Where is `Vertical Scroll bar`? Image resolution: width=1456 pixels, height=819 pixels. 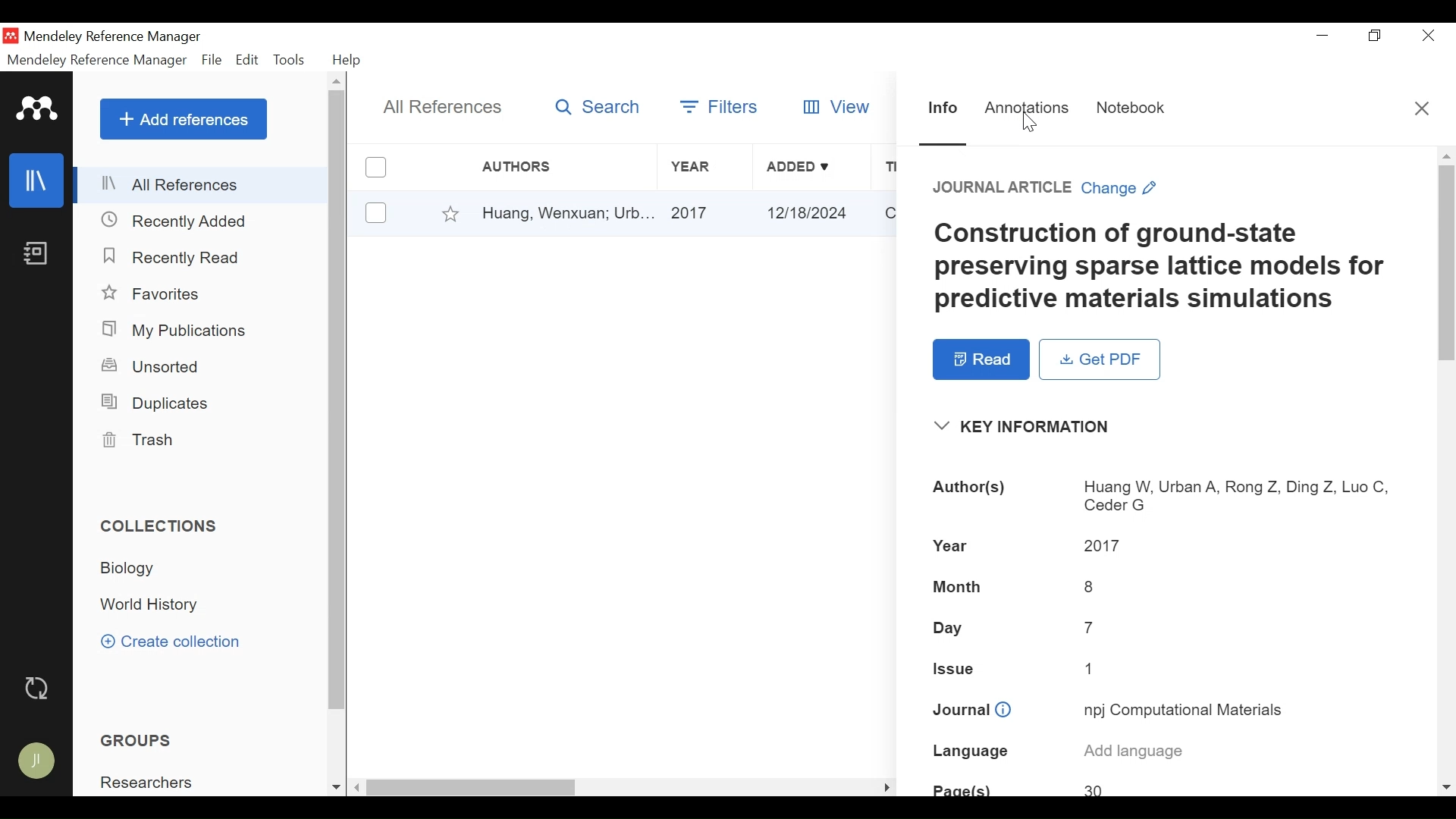 Vertical Scroll bar is located at coordinates (339, 403).